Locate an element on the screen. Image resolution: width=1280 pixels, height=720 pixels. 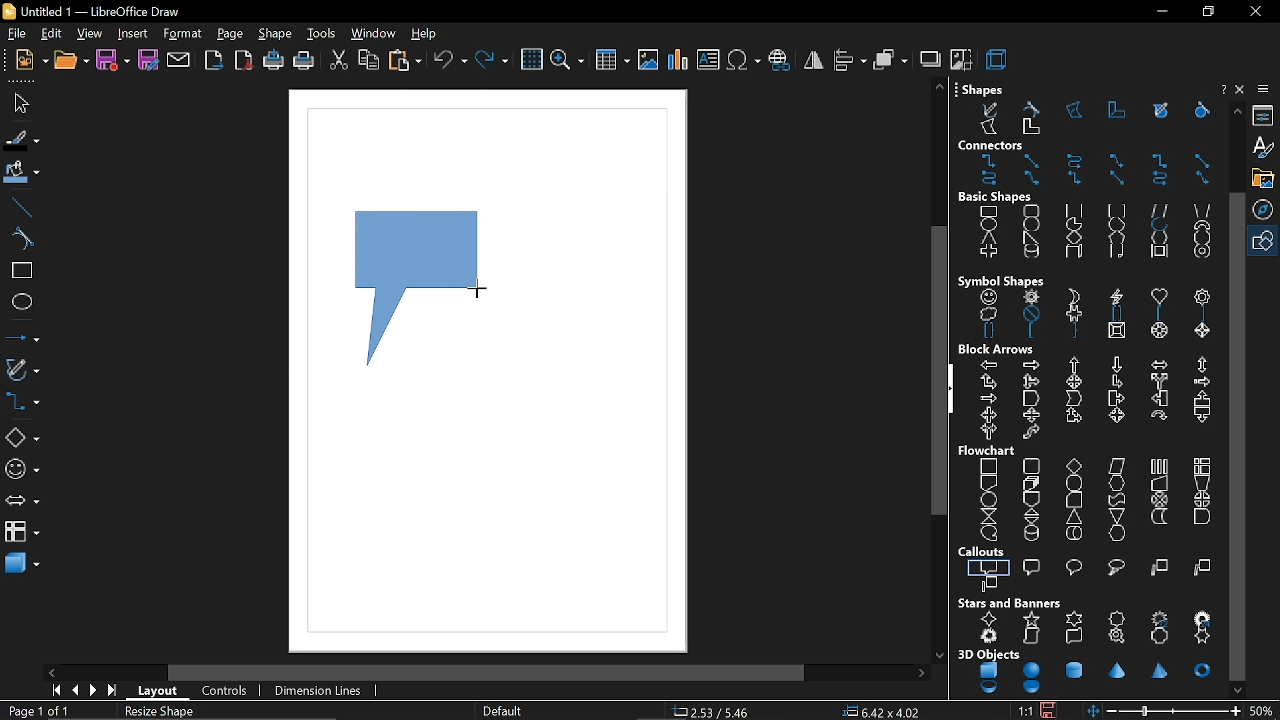
4 way arrow is located at coordinates (1074, 382).